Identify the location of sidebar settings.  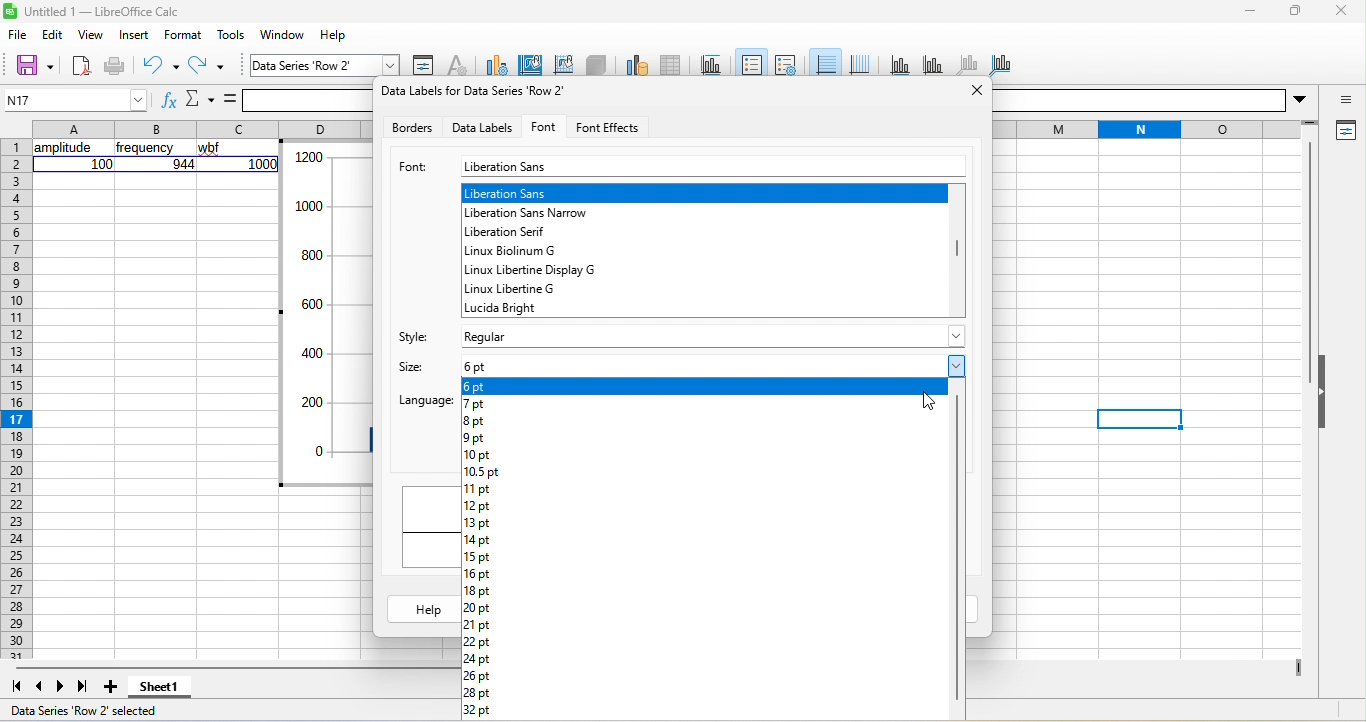
(1343, 96).